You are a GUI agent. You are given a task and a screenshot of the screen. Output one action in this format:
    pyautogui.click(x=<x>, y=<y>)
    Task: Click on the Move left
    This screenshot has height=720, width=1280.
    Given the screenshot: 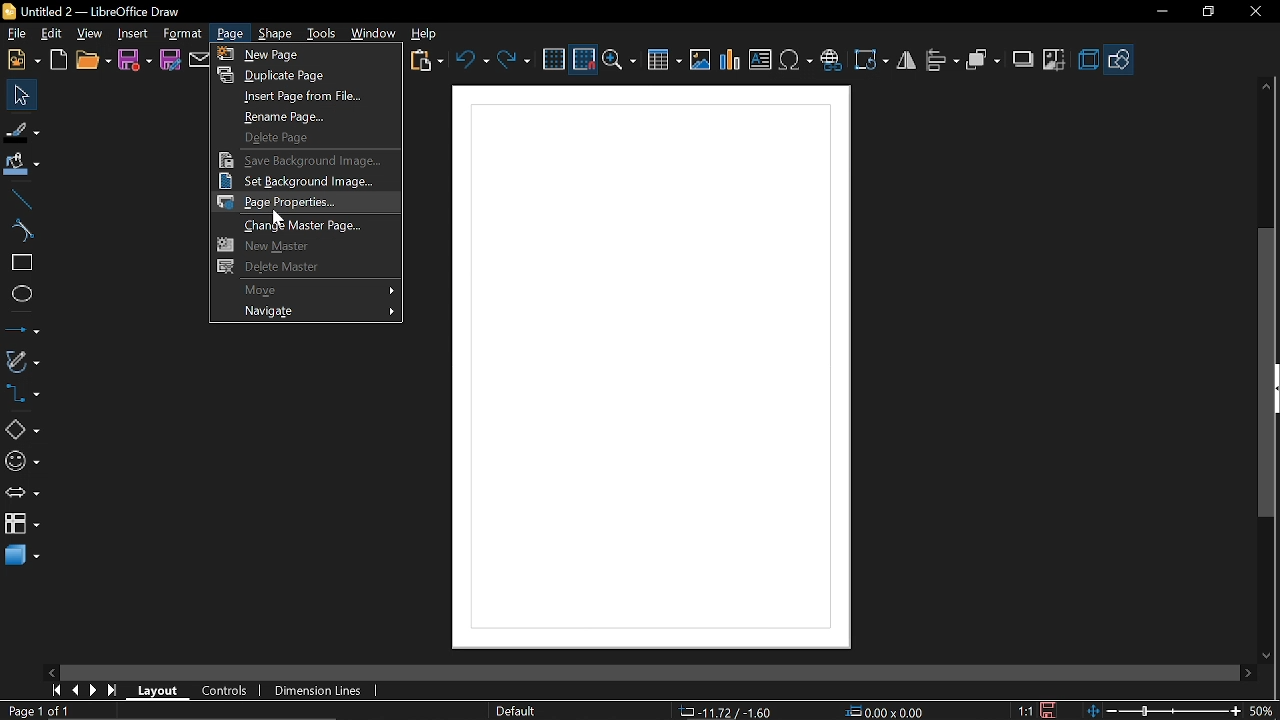 What is the action you would take?
    pyautogui.click(x=49, y=671)
    